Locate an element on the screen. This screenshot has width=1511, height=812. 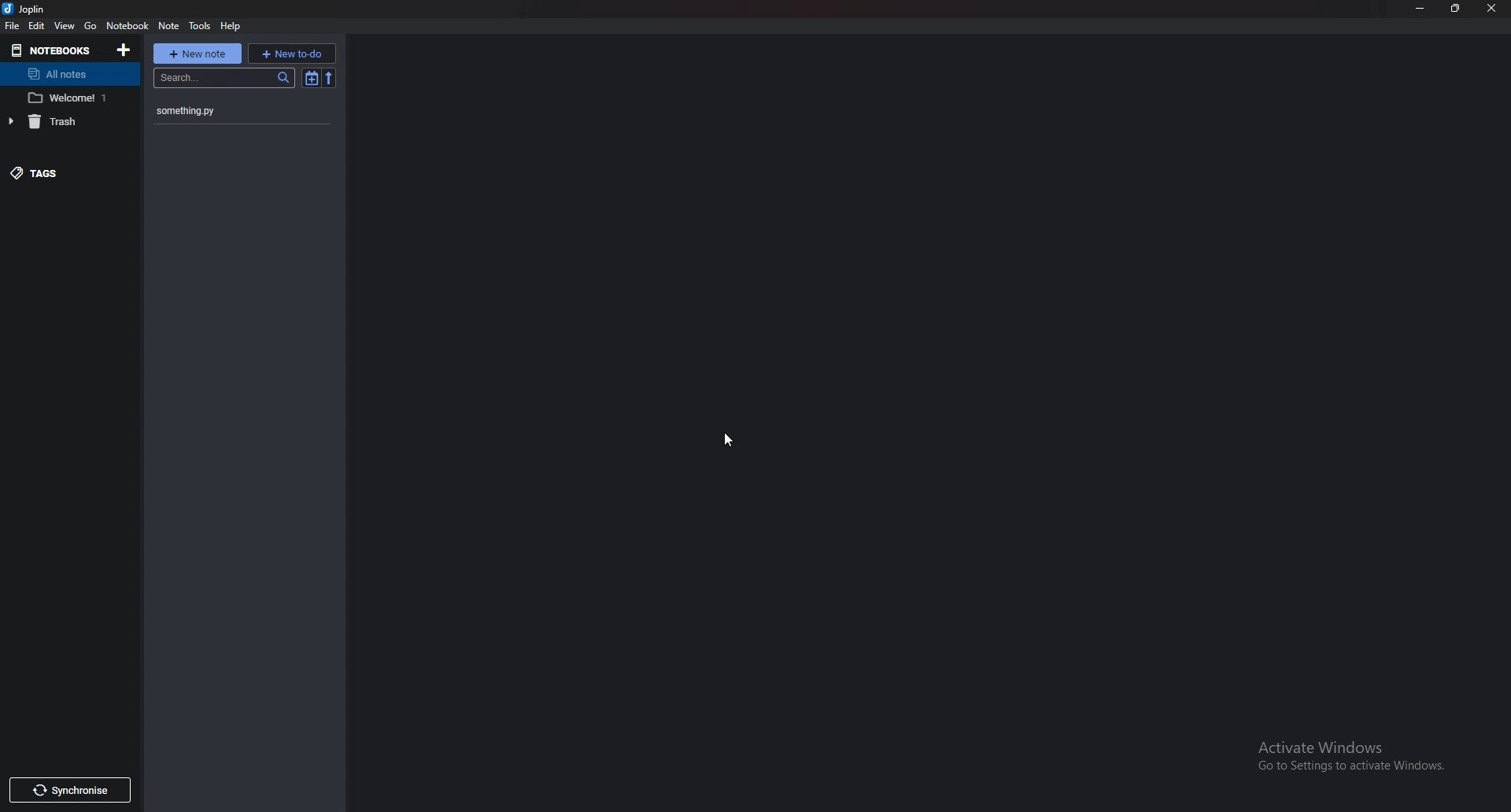
cursor is located at coordinates (732, 437).